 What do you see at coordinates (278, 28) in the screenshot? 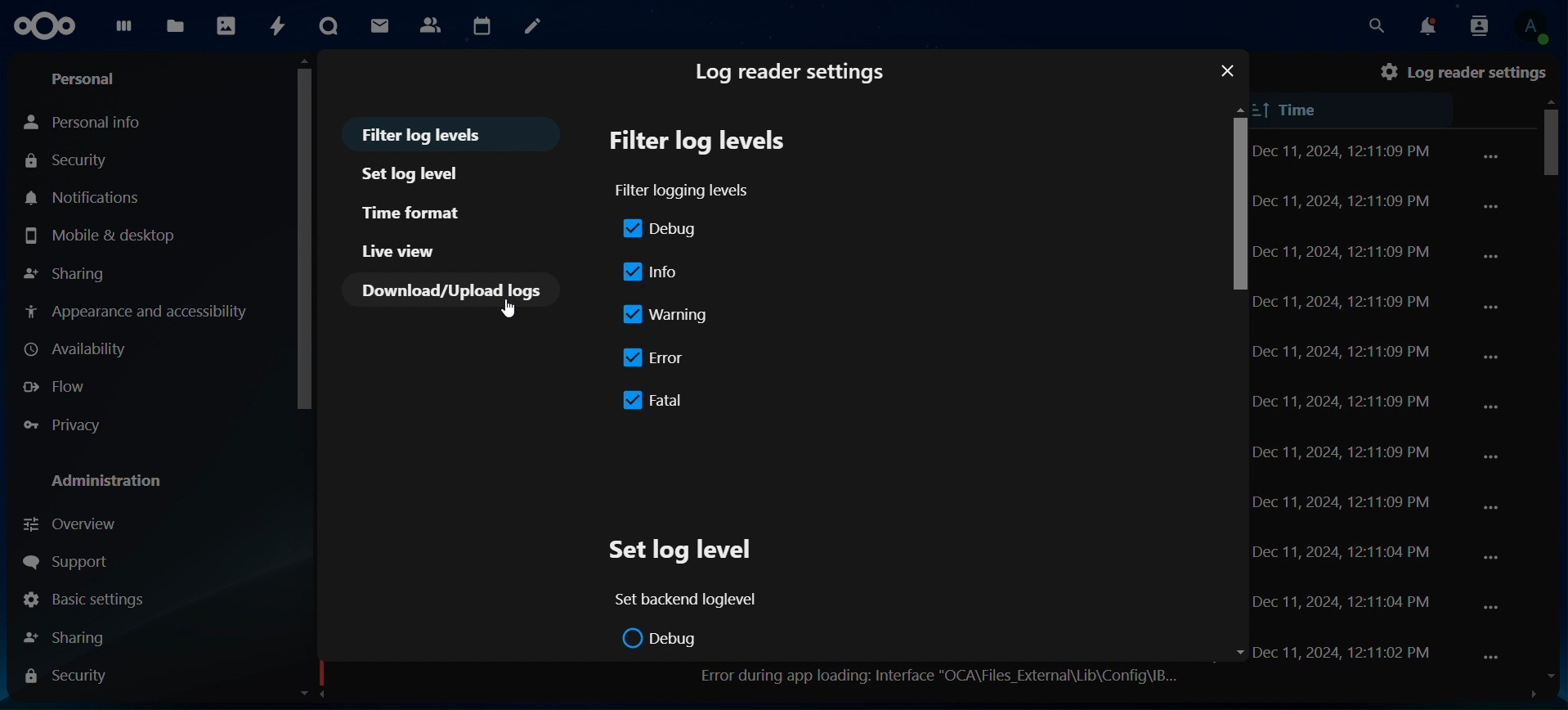
I see `activity` at bounding box center [278, 28].